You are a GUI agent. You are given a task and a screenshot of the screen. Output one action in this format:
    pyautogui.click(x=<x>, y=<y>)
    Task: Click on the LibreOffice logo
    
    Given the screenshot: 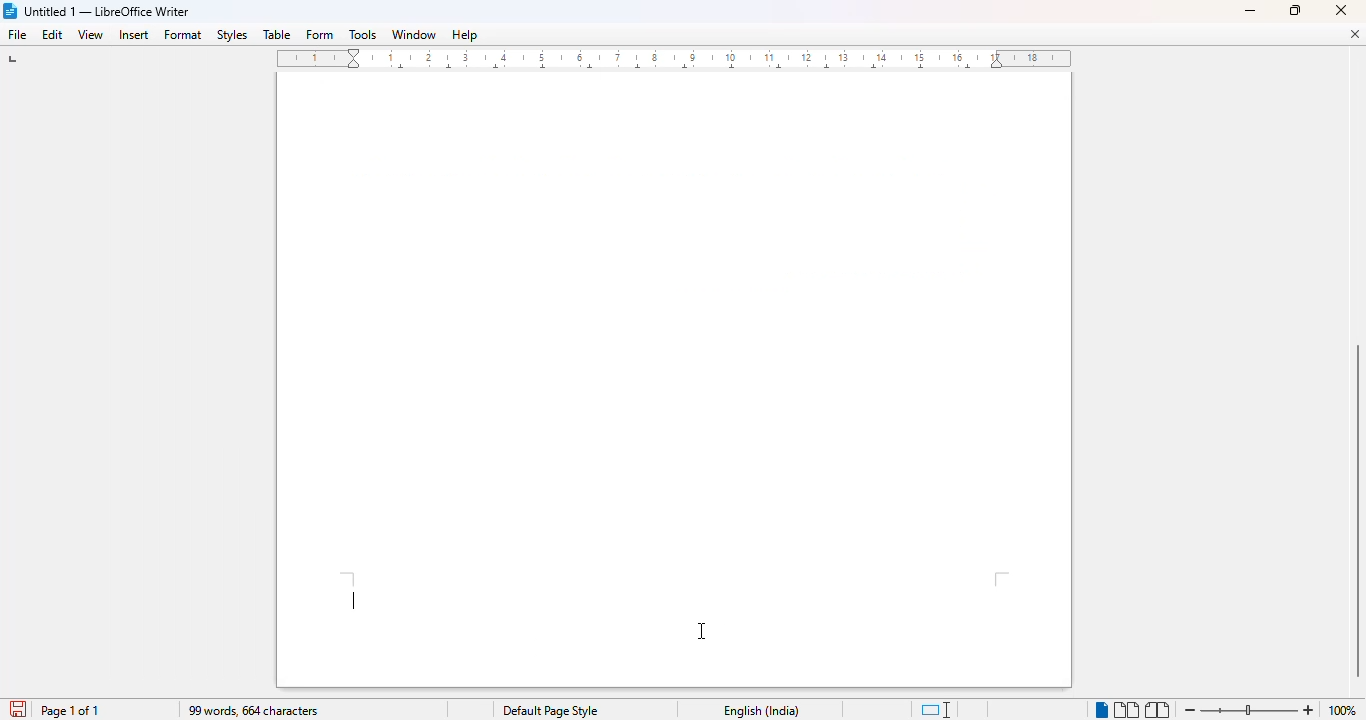 What is the action you would take?
    pyautogui.click(x=11, y=10)
    